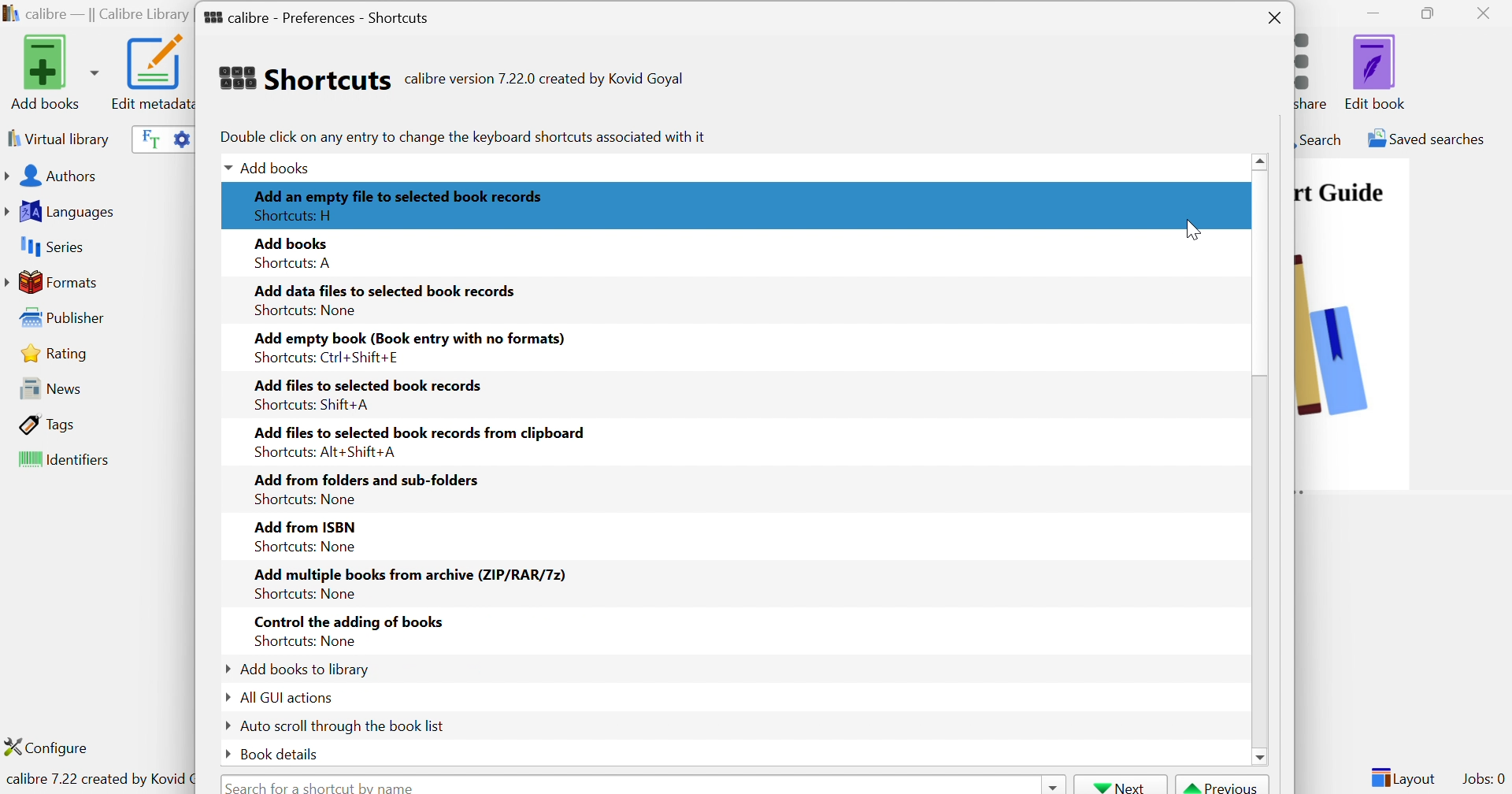 Image resolution: width=1512 pixels, height=794 pixels. Describe the element at coordinates (303, 499) in the screenshot. I see `Shortcuts: None` at that location.